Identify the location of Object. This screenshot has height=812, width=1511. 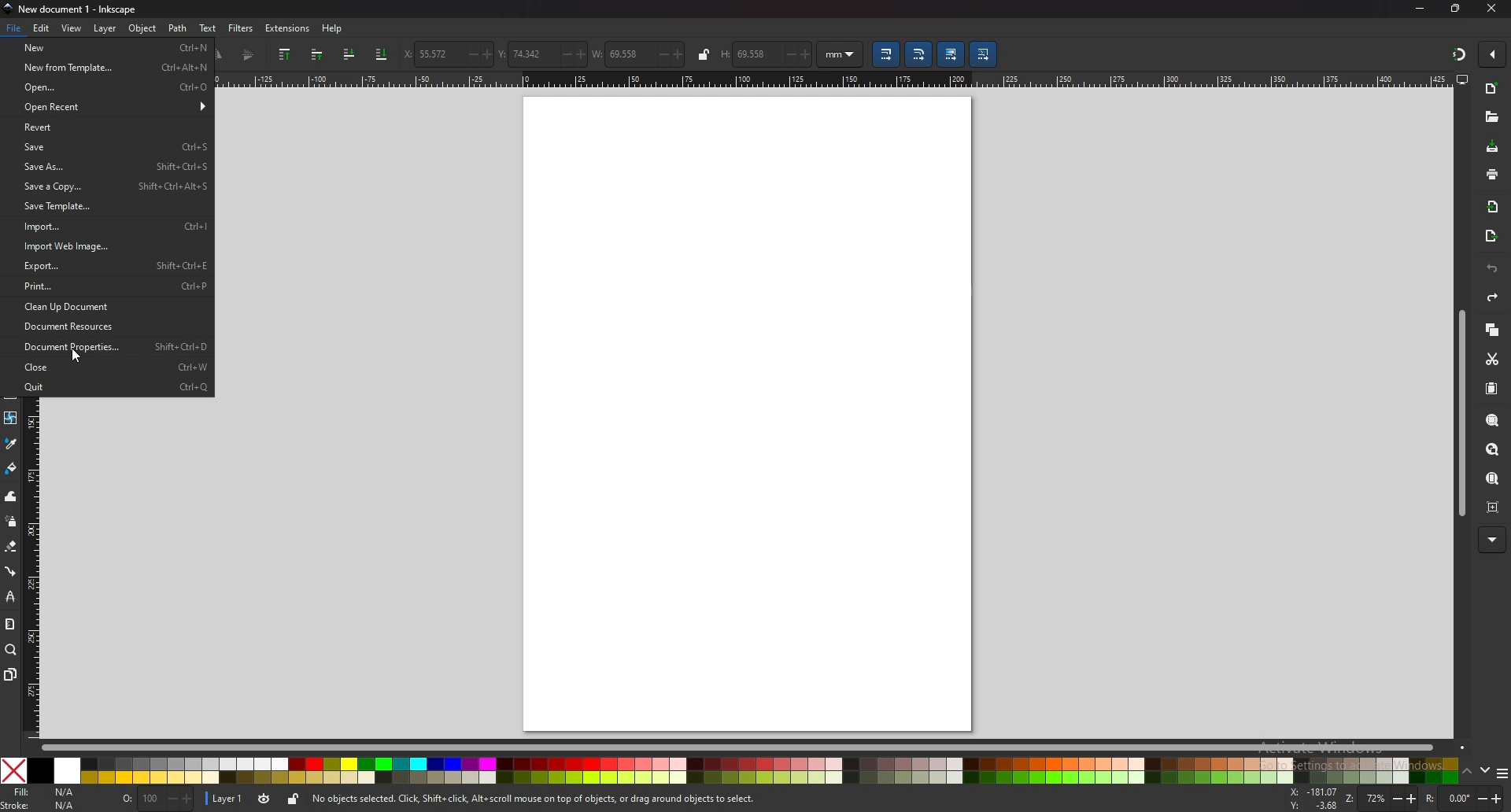
(142, 28).